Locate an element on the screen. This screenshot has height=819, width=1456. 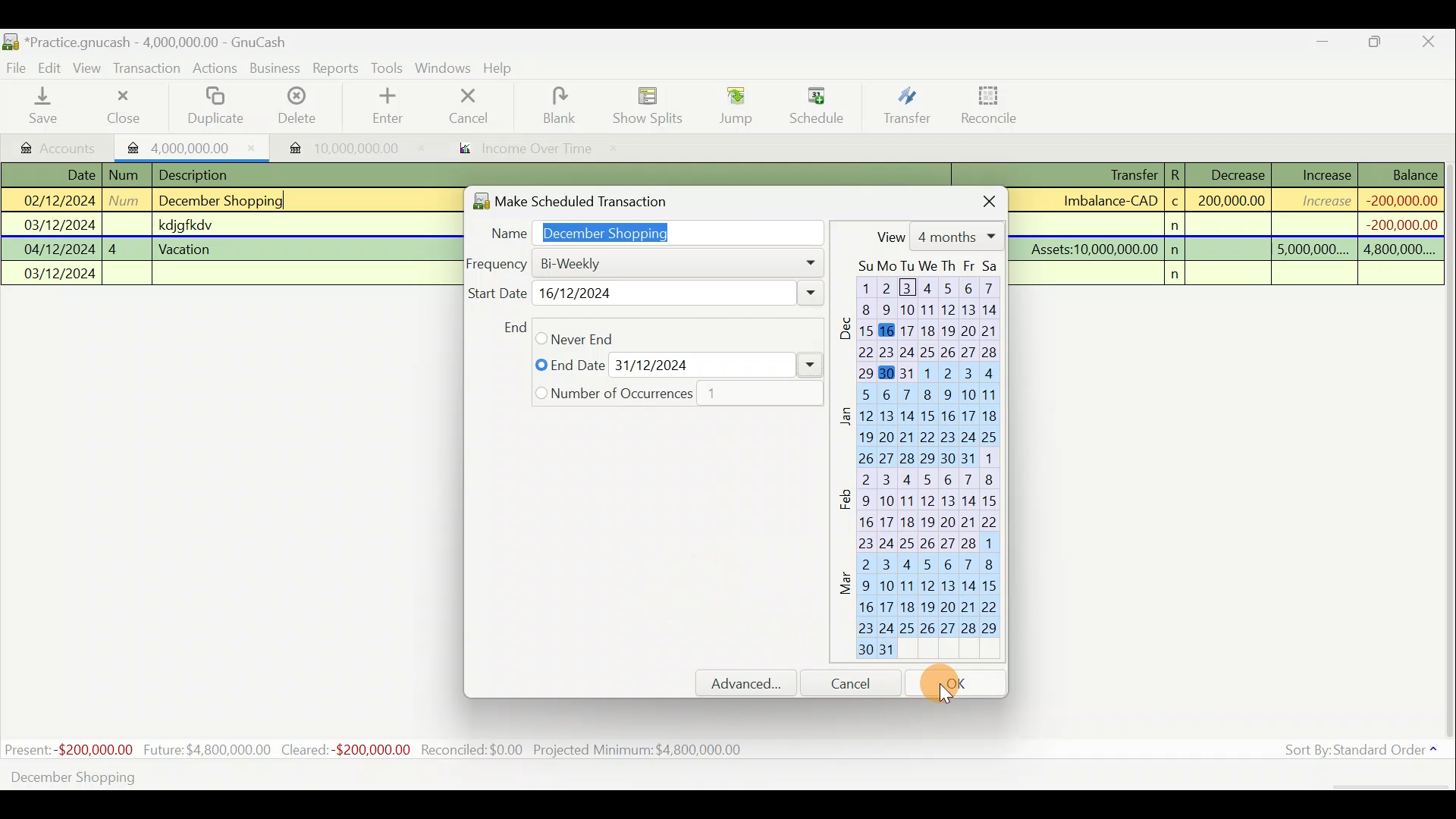
Jump is located at coordinates (731, 105).